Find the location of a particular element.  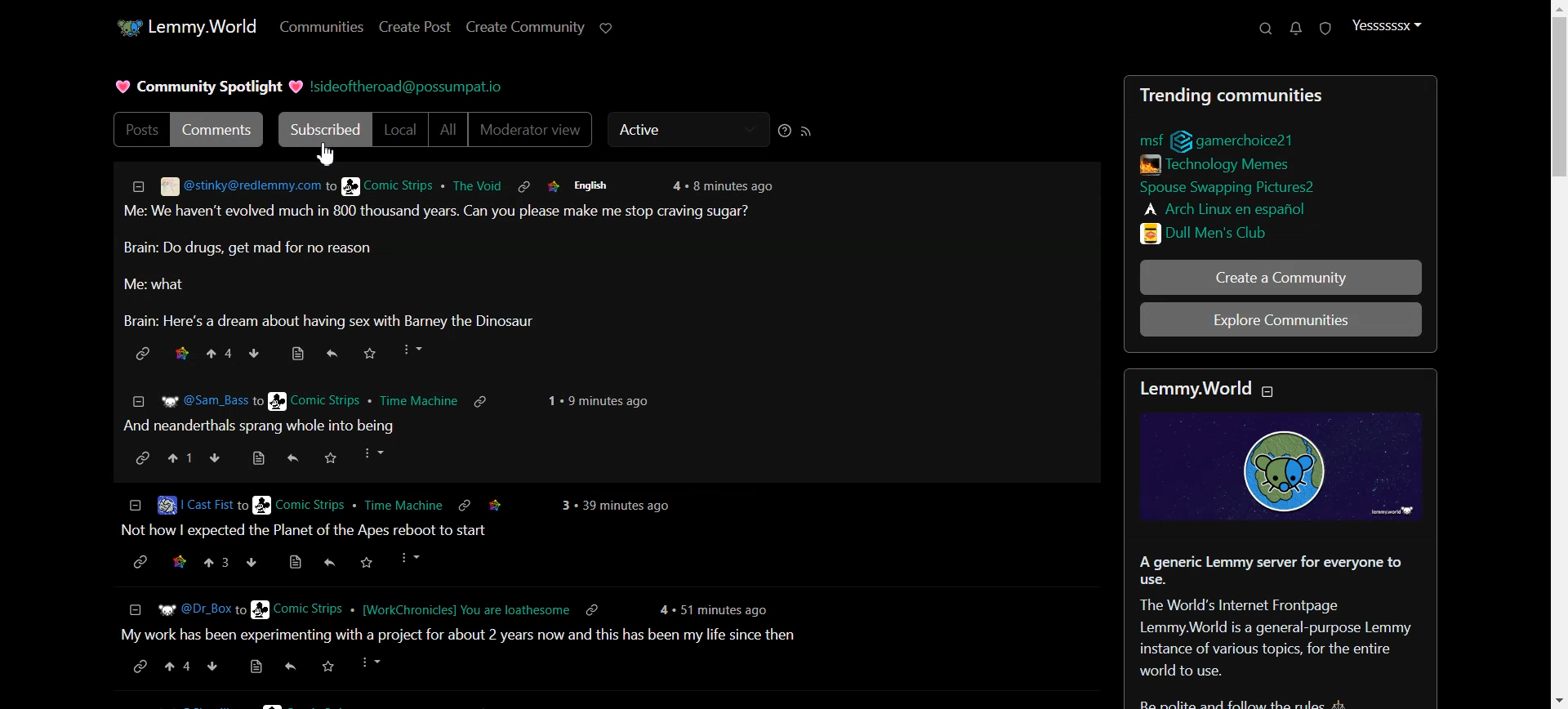

Starred is located at coordinates (552, 184).